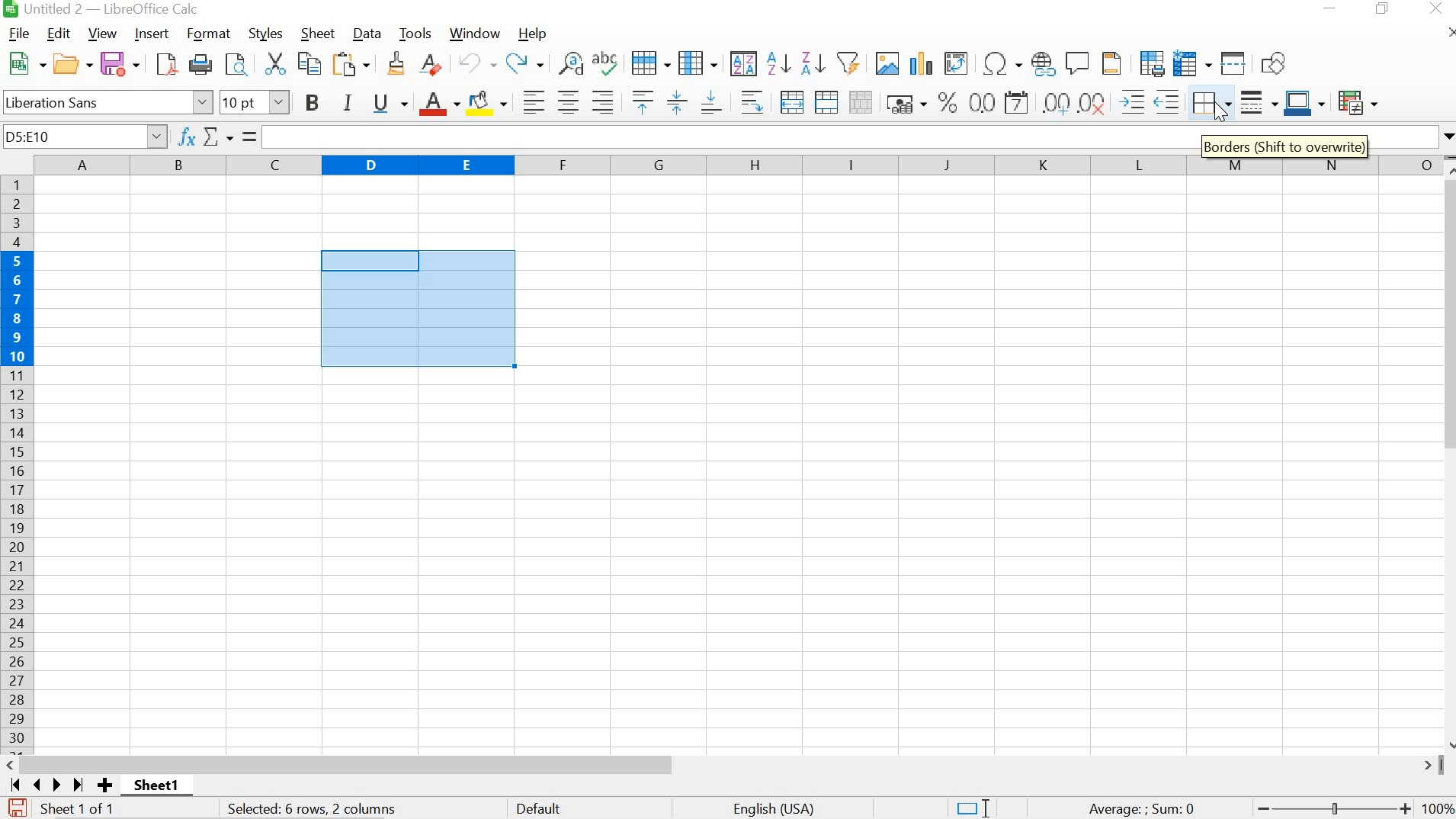 Image resolution: width=1456 pixels, height=819 pixels. What do you see at coordinates (163, 788) in the screenshot?
I see `sheet 1 of 1` at bounding box center [163, 788].